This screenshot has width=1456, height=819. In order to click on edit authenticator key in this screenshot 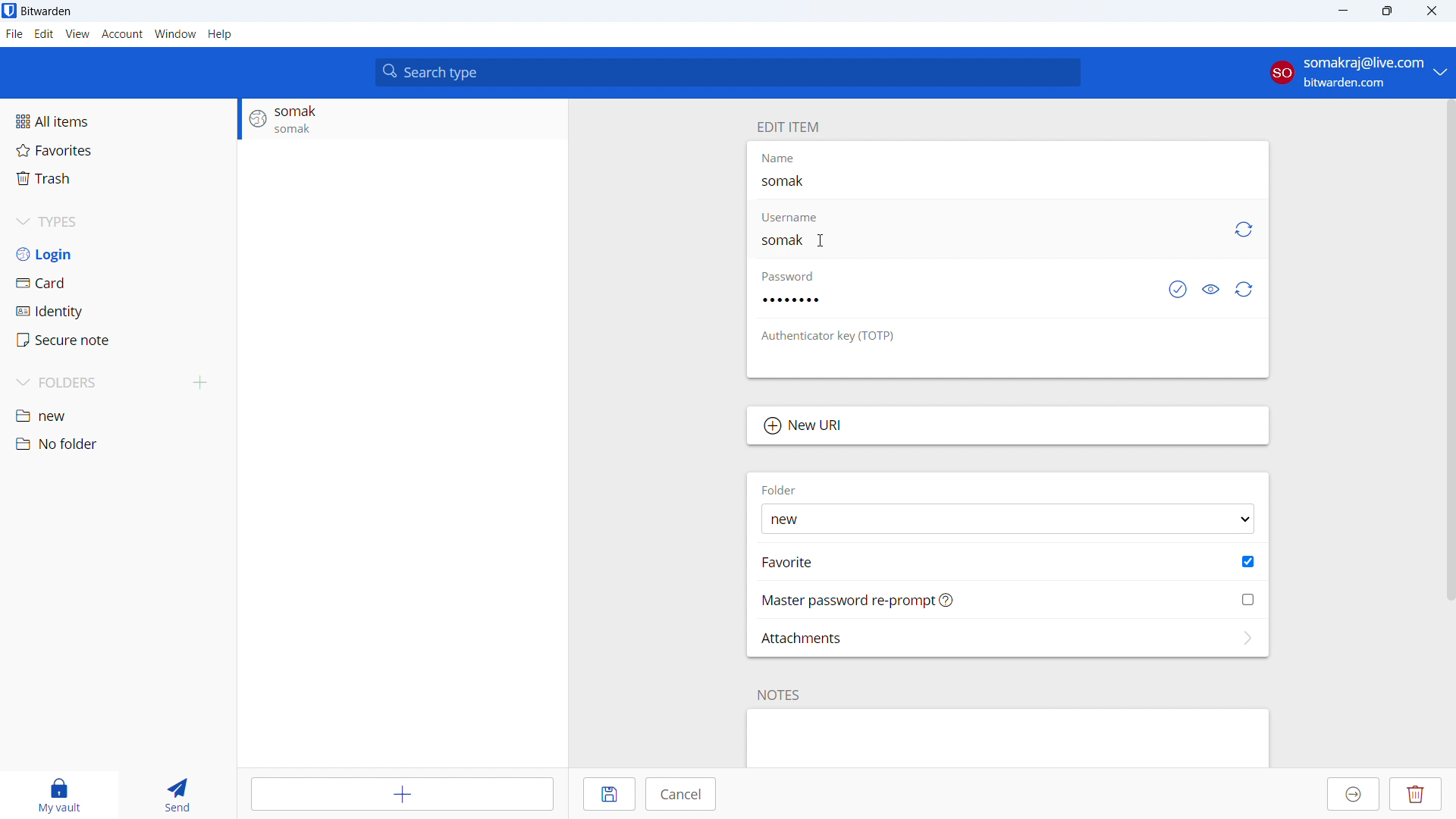, I will do `click(1008, 360)`.